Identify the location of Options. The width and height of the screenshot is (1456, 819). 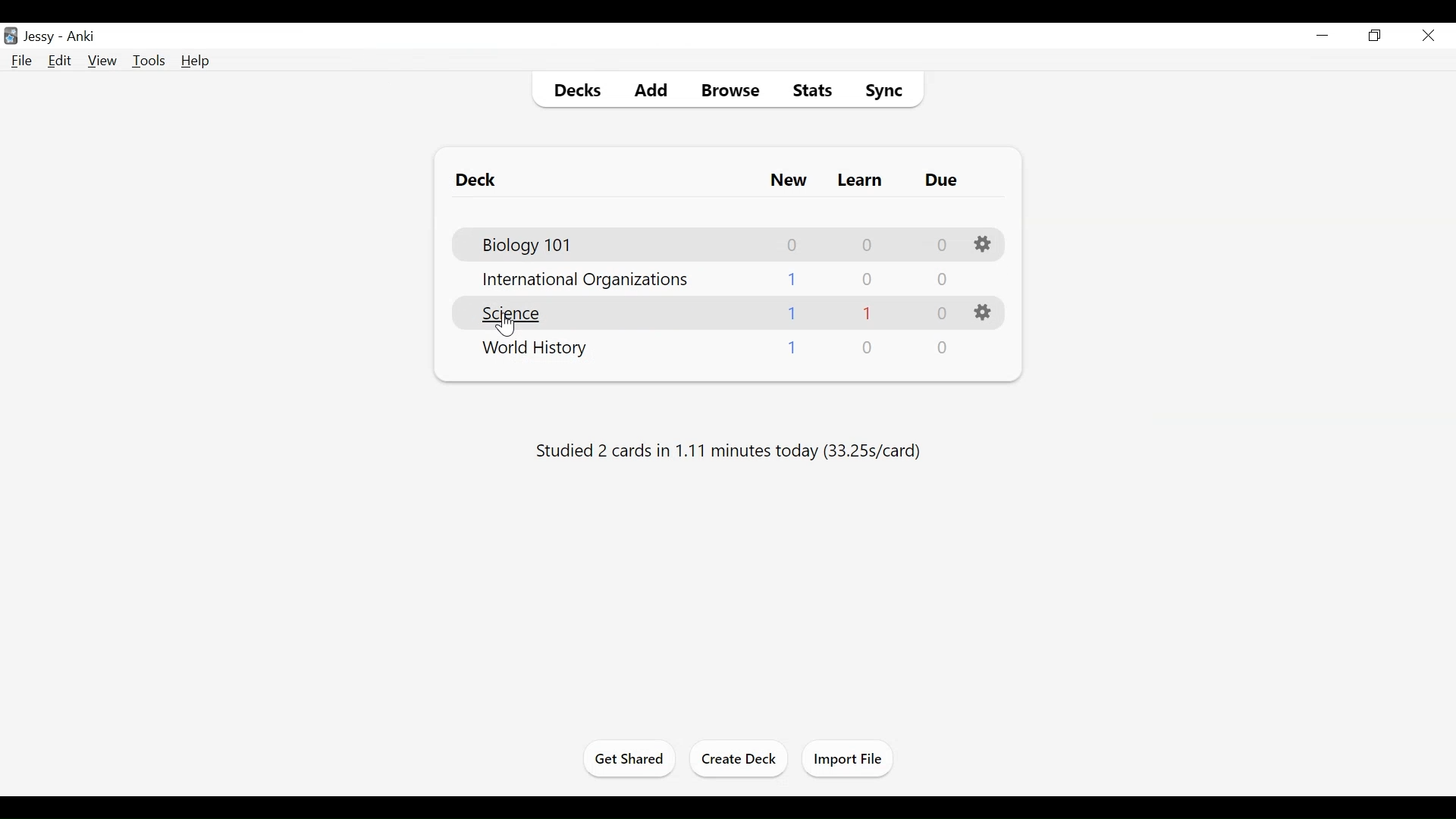
(984, 243).